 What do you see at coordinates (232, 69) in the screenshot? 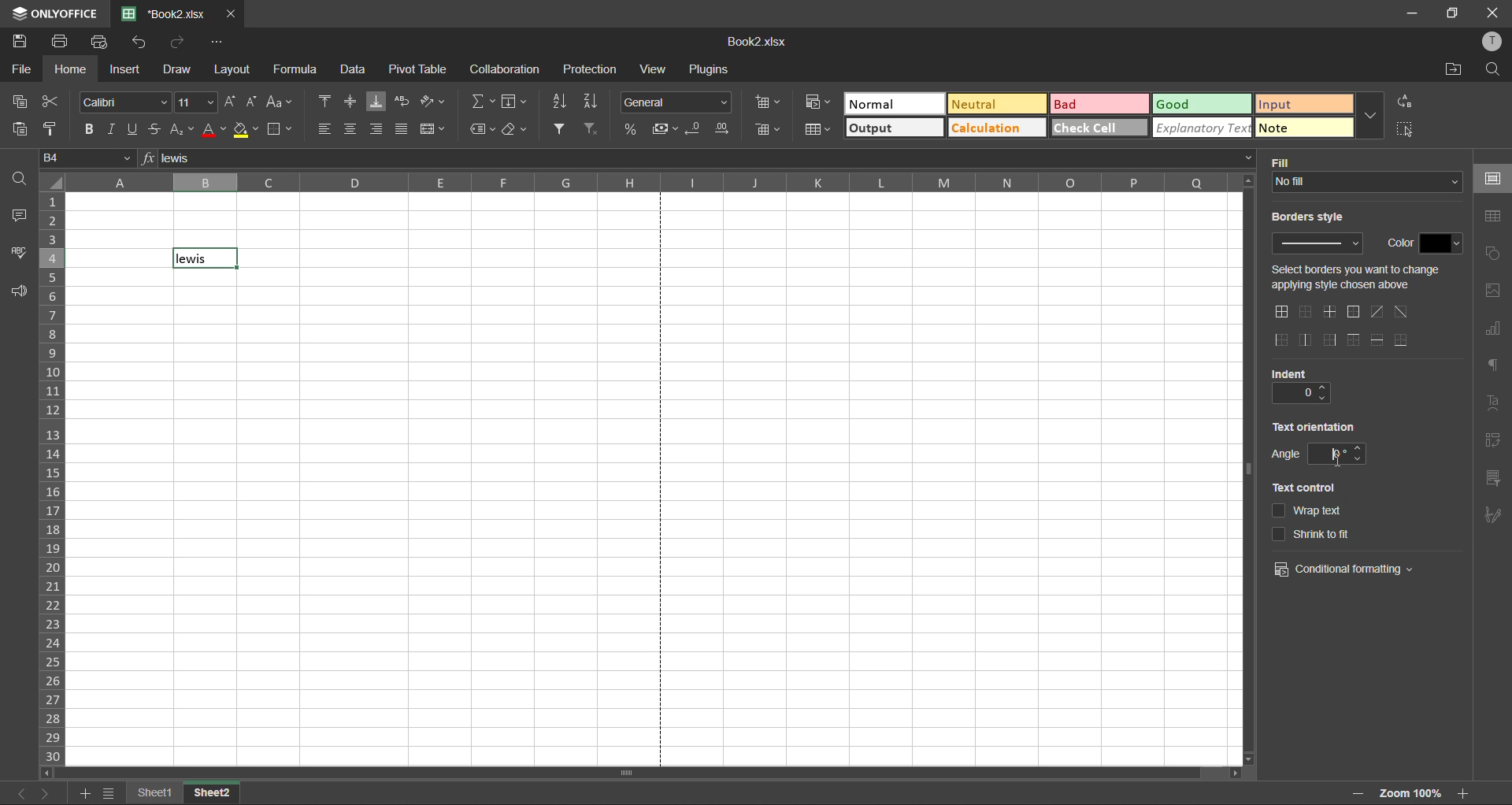
I see `layout` at bounding box center [232, 69].